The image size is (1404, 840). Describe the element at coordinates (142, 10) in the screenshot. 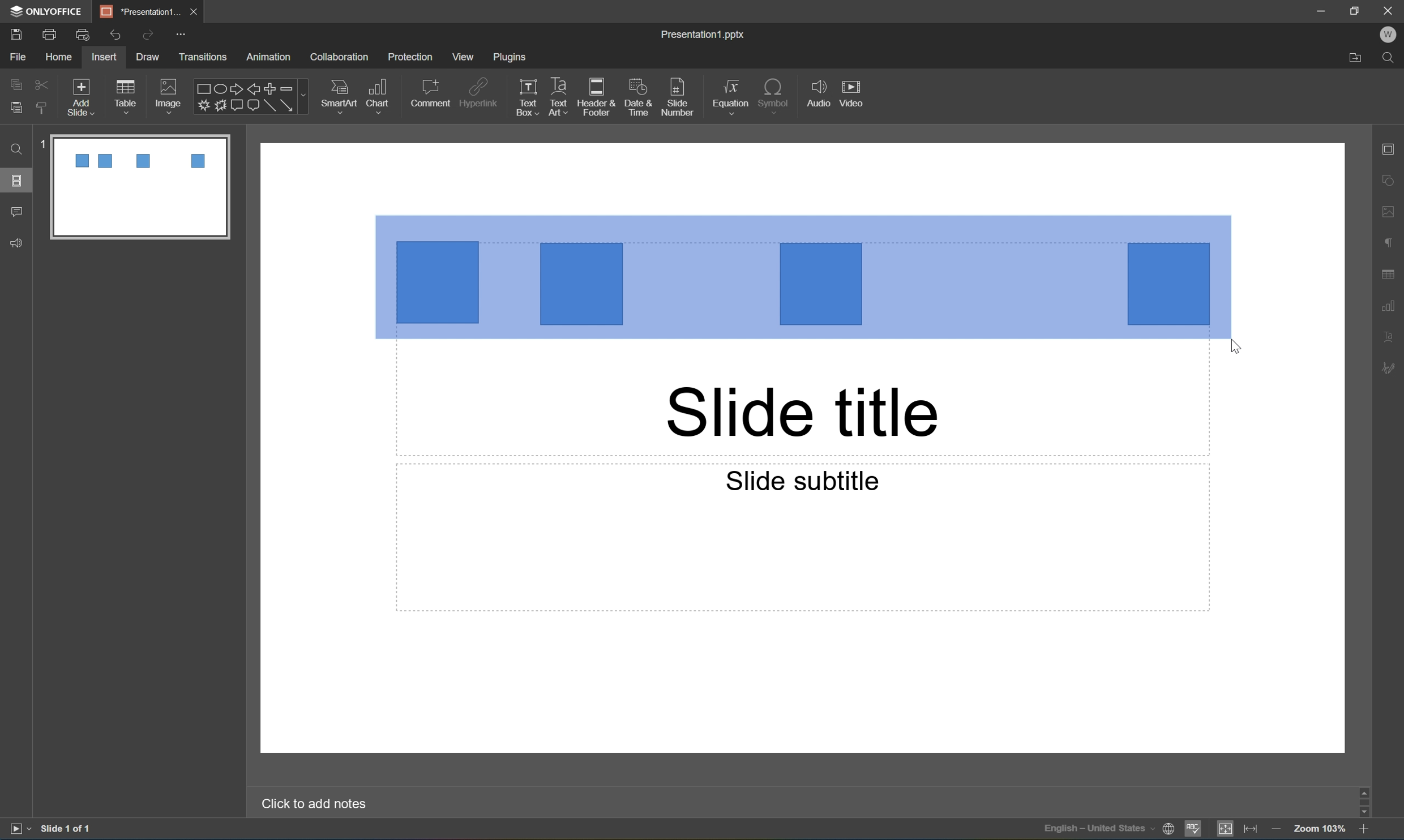

I see `*Presentation1...` at that location.